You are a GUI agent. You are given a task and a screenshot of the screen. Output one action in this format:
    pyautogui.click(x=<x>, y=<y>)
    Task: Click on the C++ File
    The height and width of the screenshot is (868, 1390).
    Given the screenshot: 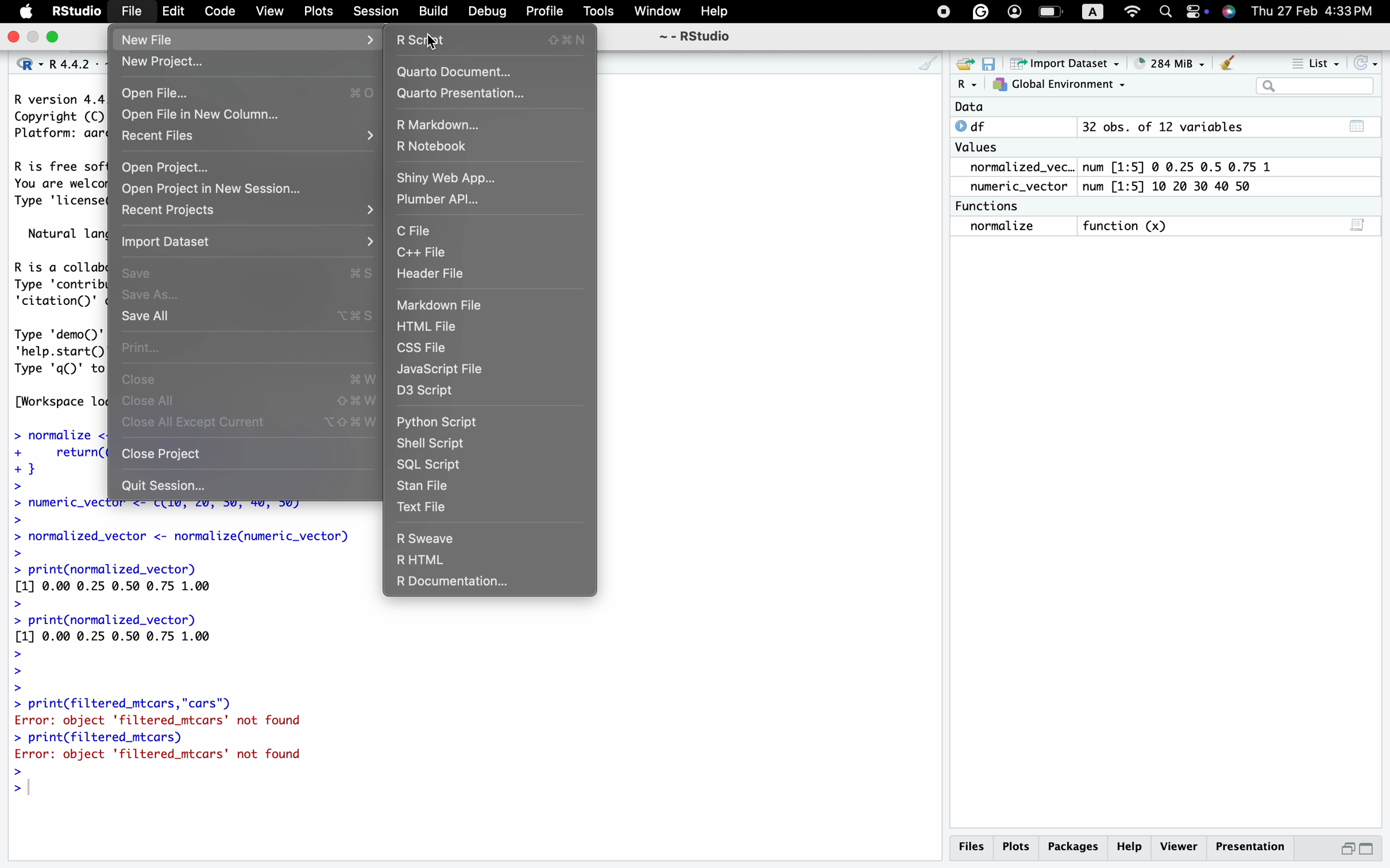 What is the action you would take?
    pyautogui.click(x=426, y=253)
    